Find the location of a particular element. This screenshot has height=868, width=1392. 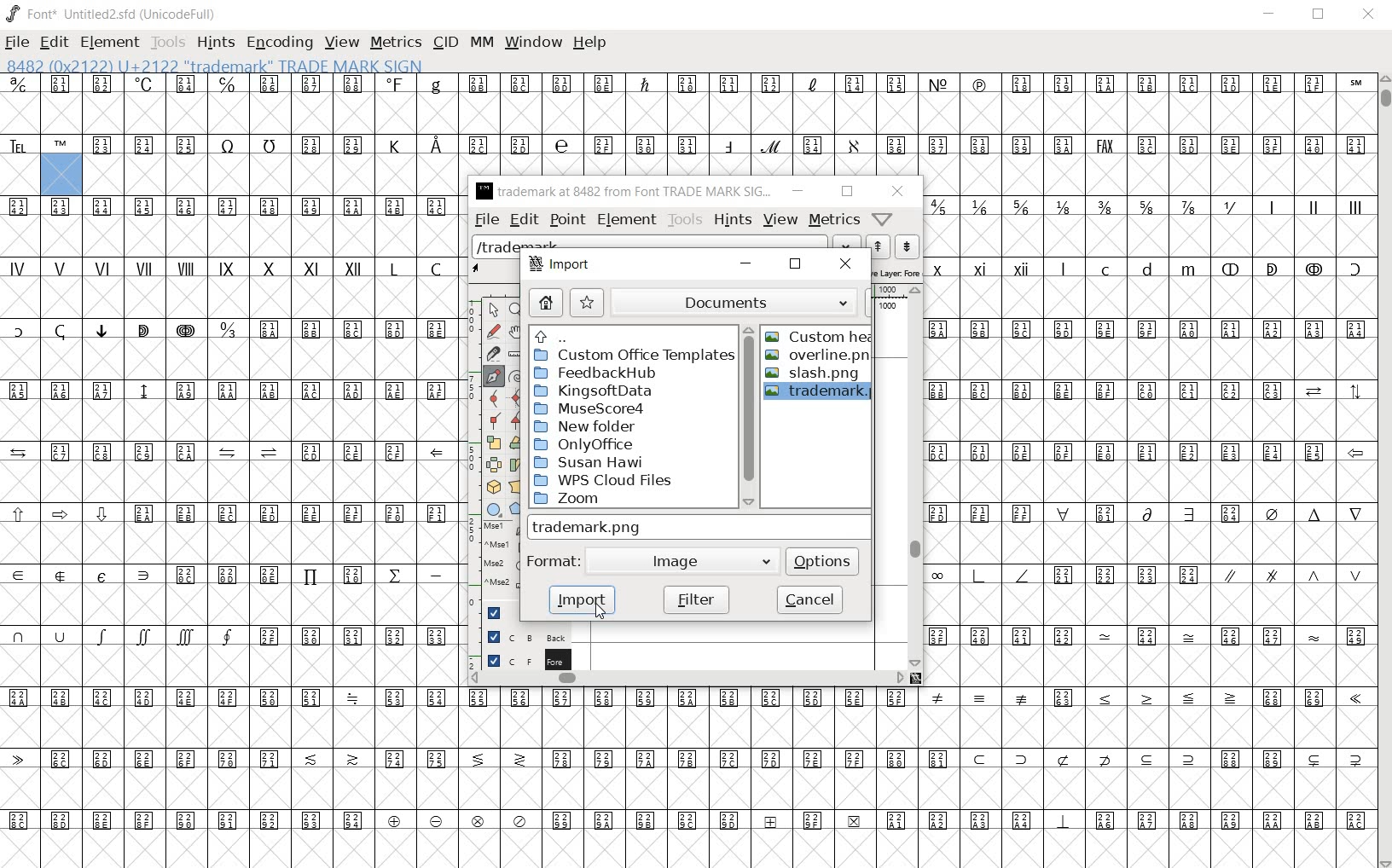

perform a perspective transformation on the selection is located at coordinates (515, 485).